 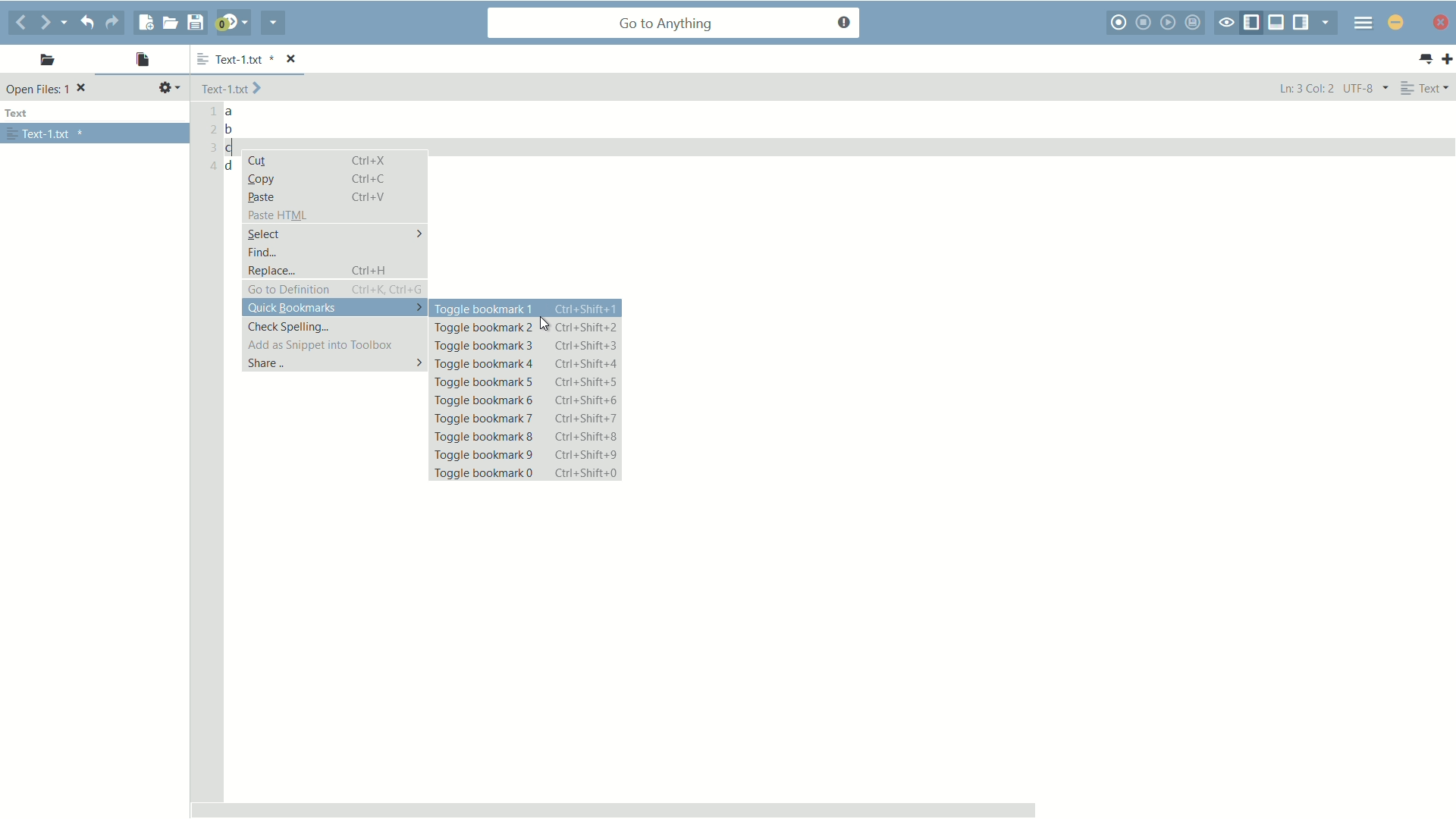 What do you see at coordinates (232, 140) in the screenshot?
I see `a b c d` at bounding box center [232, 140].